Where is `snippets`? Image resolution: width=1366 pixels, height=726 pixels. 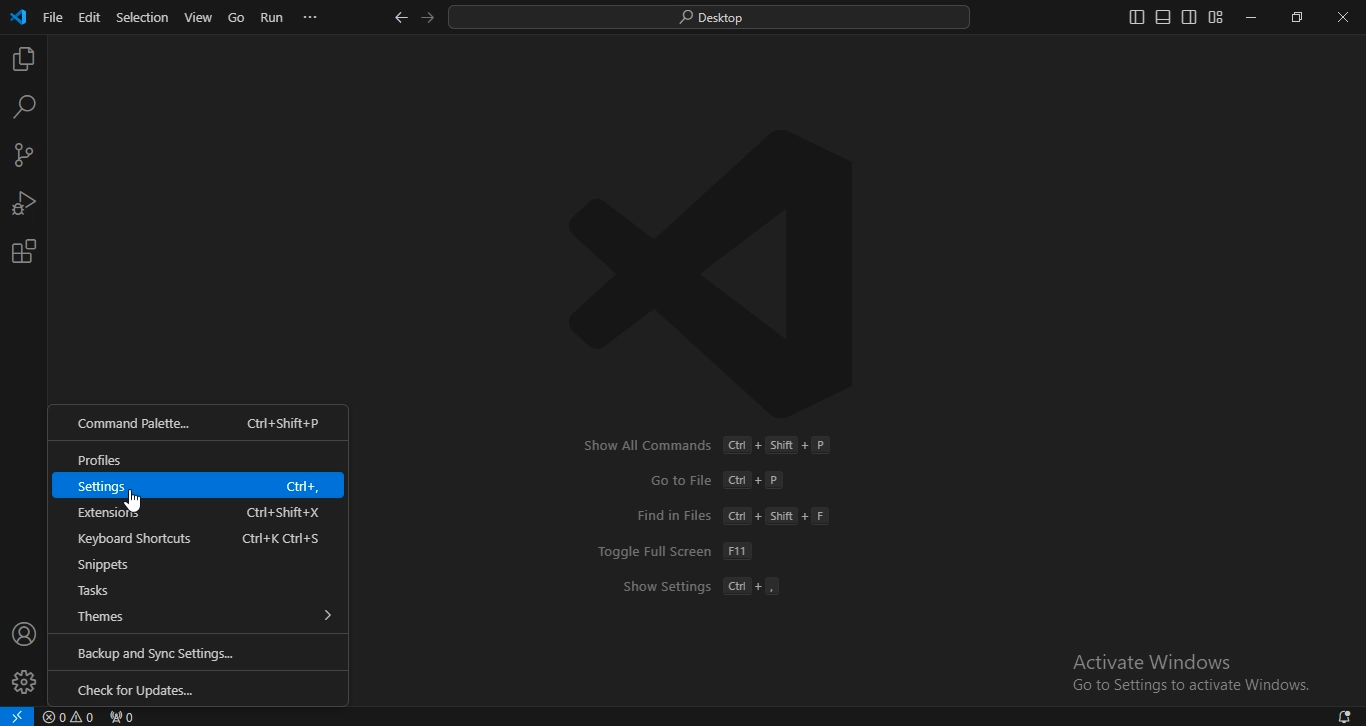 snippets is located at coordinates (109, 563).